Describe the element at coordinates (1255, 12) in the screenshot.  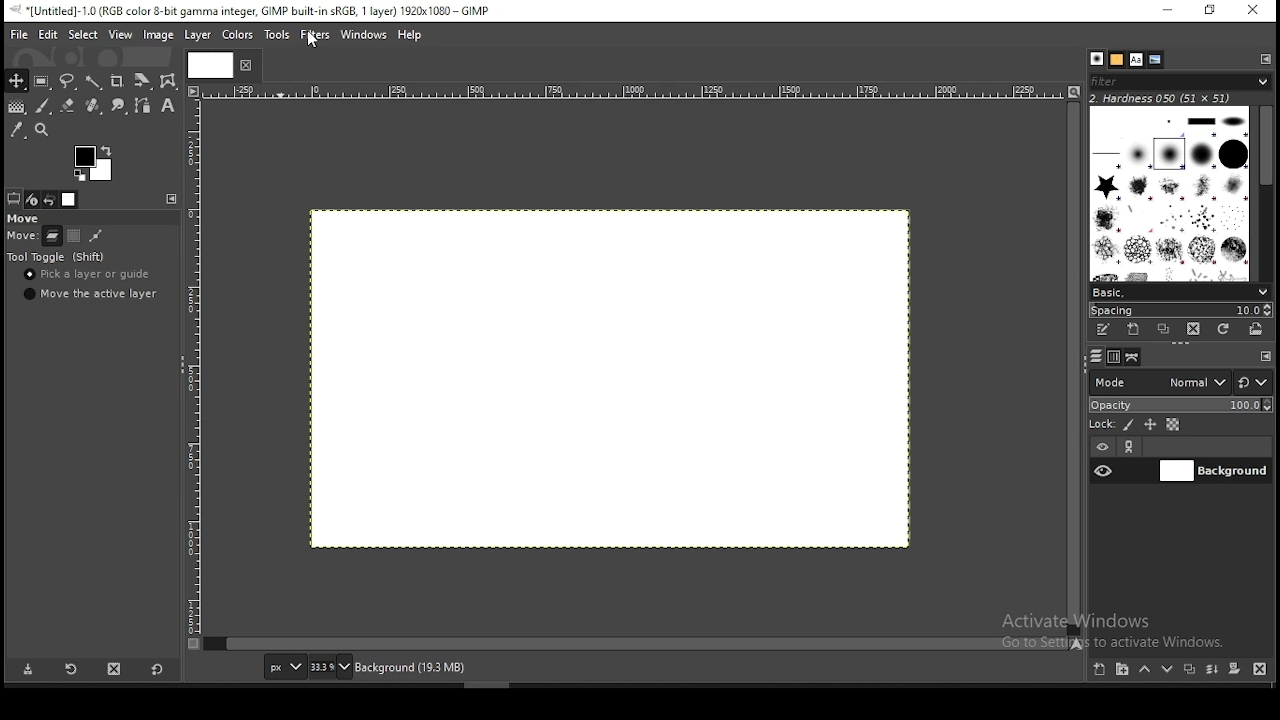
I see `close window` at that location.